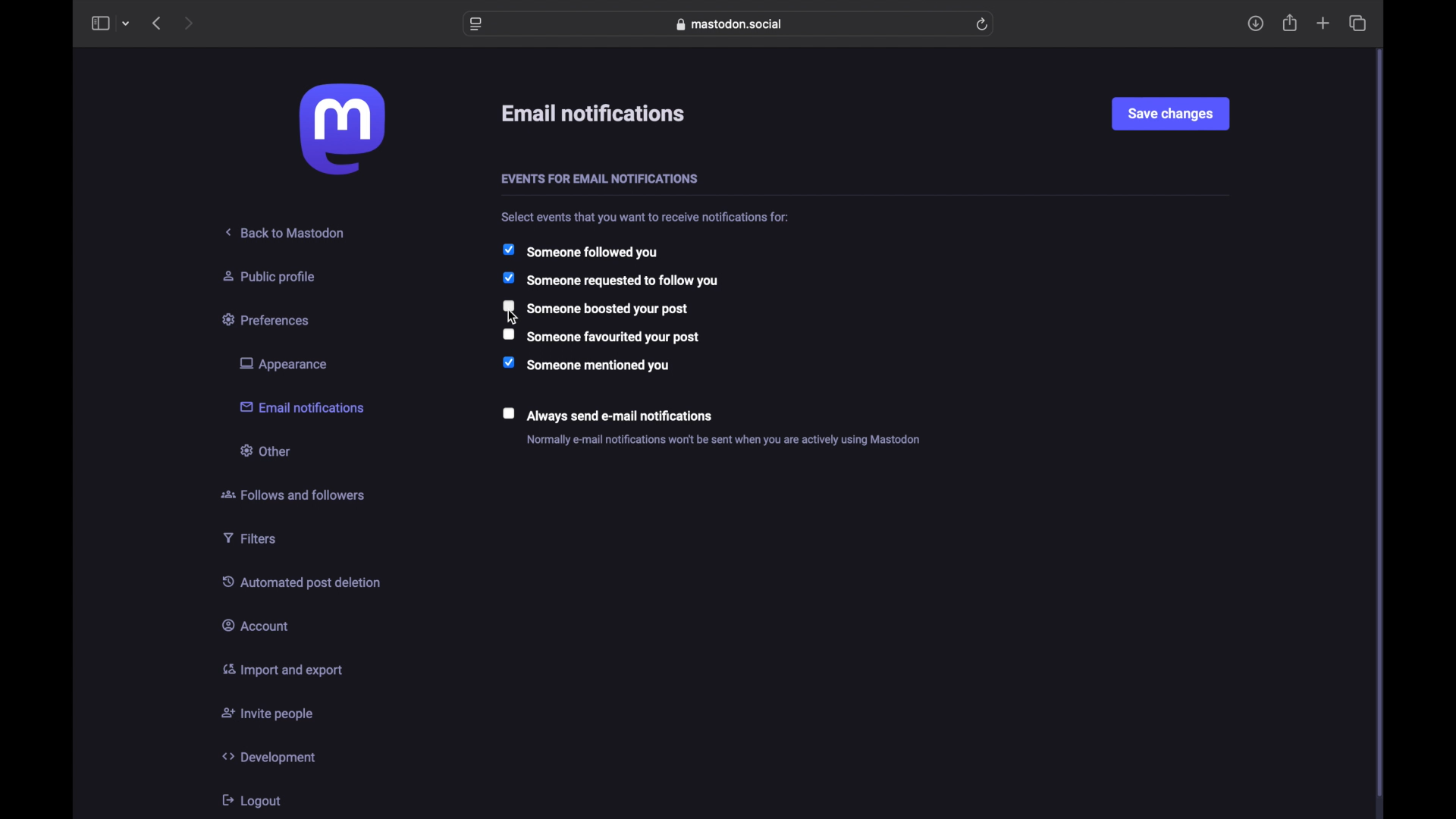  Describe the element at coordinates (981, 24) in the screenshot. I see `refresh` at that location.